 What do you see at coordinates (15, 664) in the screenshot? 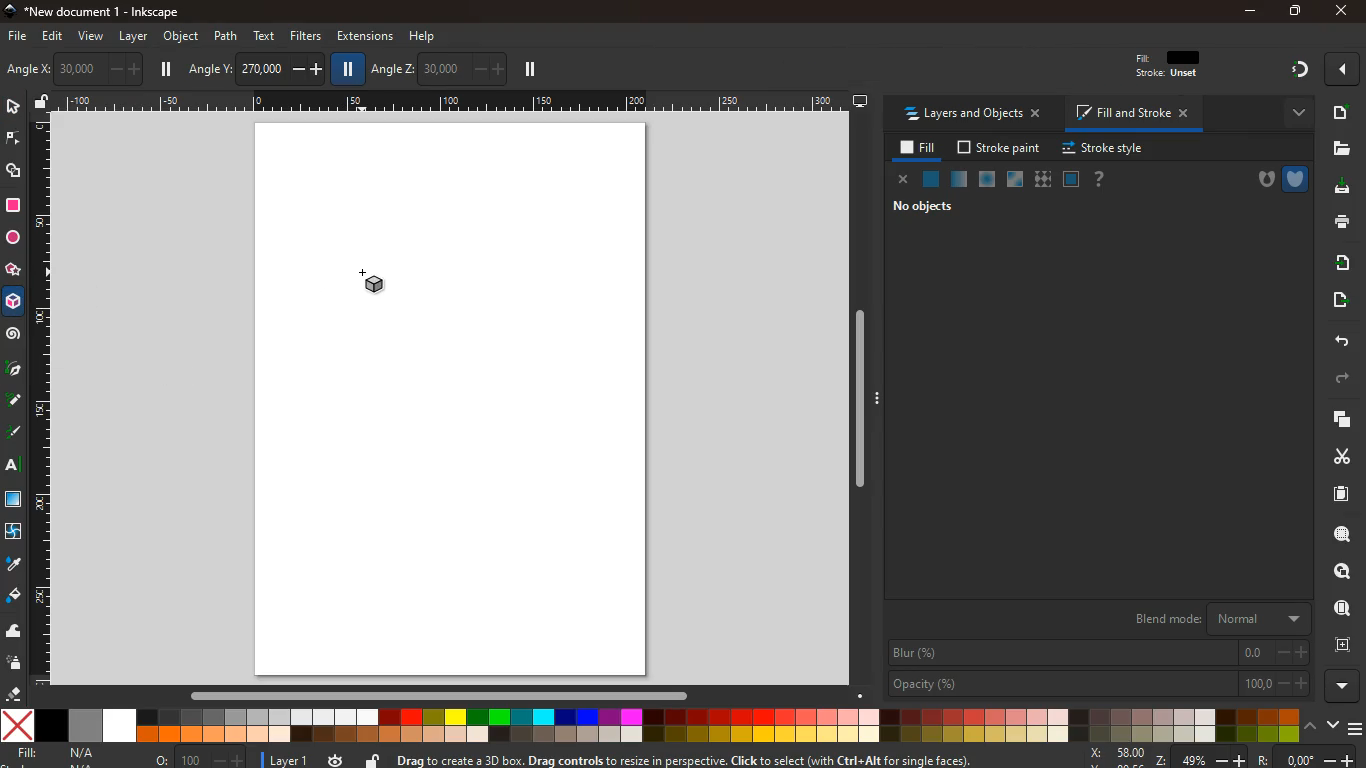
I see `spray` at bounding box center [15, 664].